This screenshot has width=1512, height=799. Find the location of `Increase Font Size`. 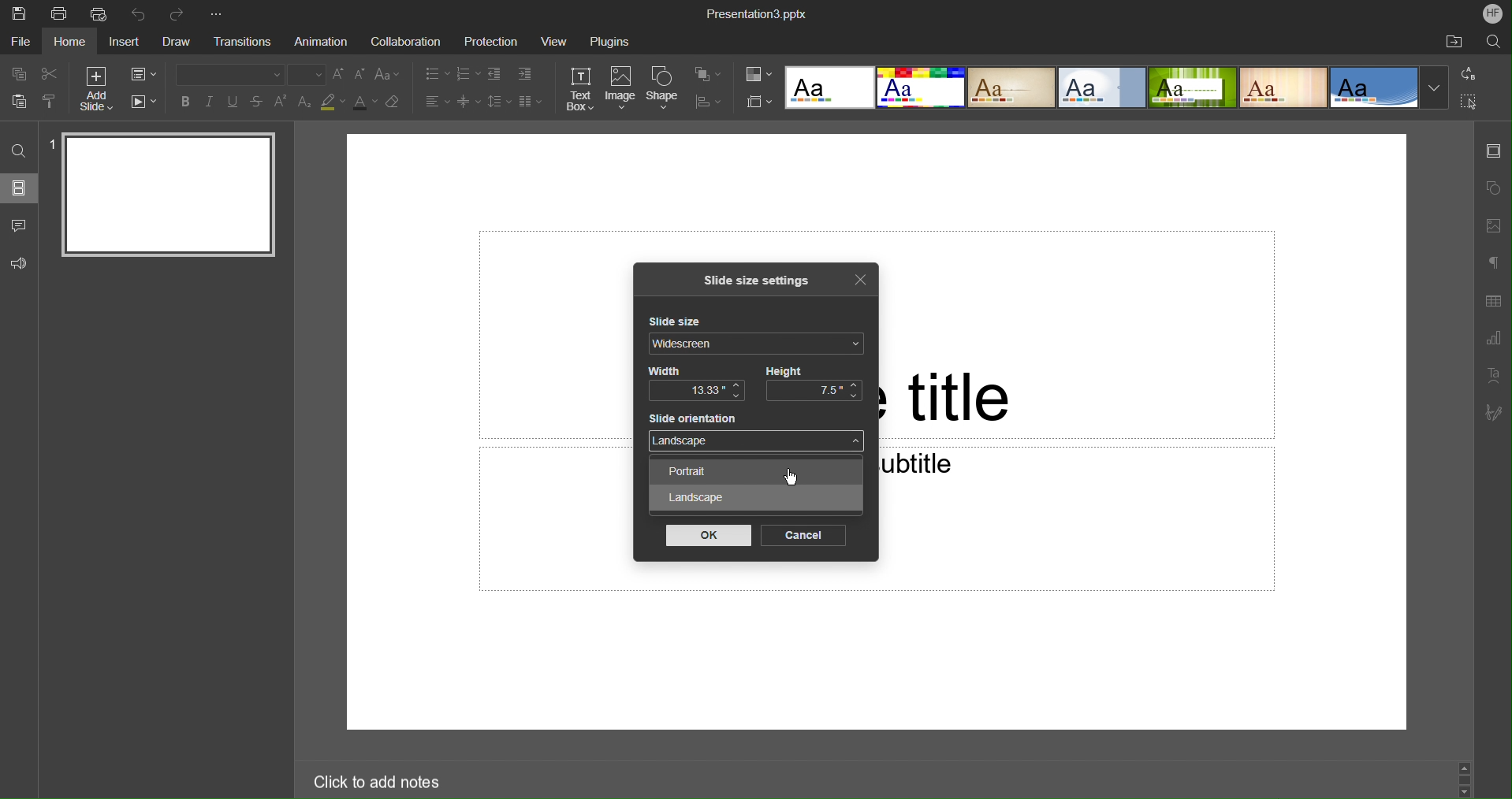

Increase Font Size is located at coordinates (340, 75).